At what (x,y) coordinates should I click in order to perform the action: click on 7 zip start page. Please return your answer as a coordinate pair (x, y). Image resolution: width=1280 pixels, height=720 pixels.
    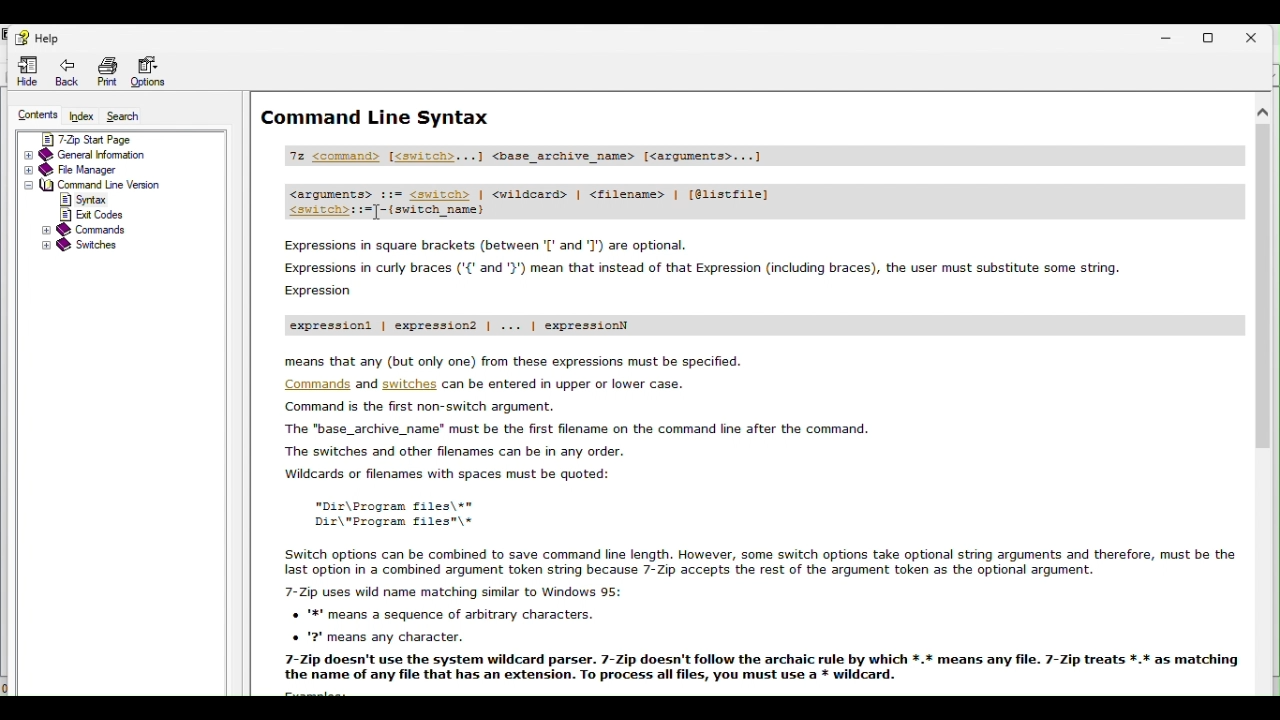
    Looking at the image, I should click on (107, 138).